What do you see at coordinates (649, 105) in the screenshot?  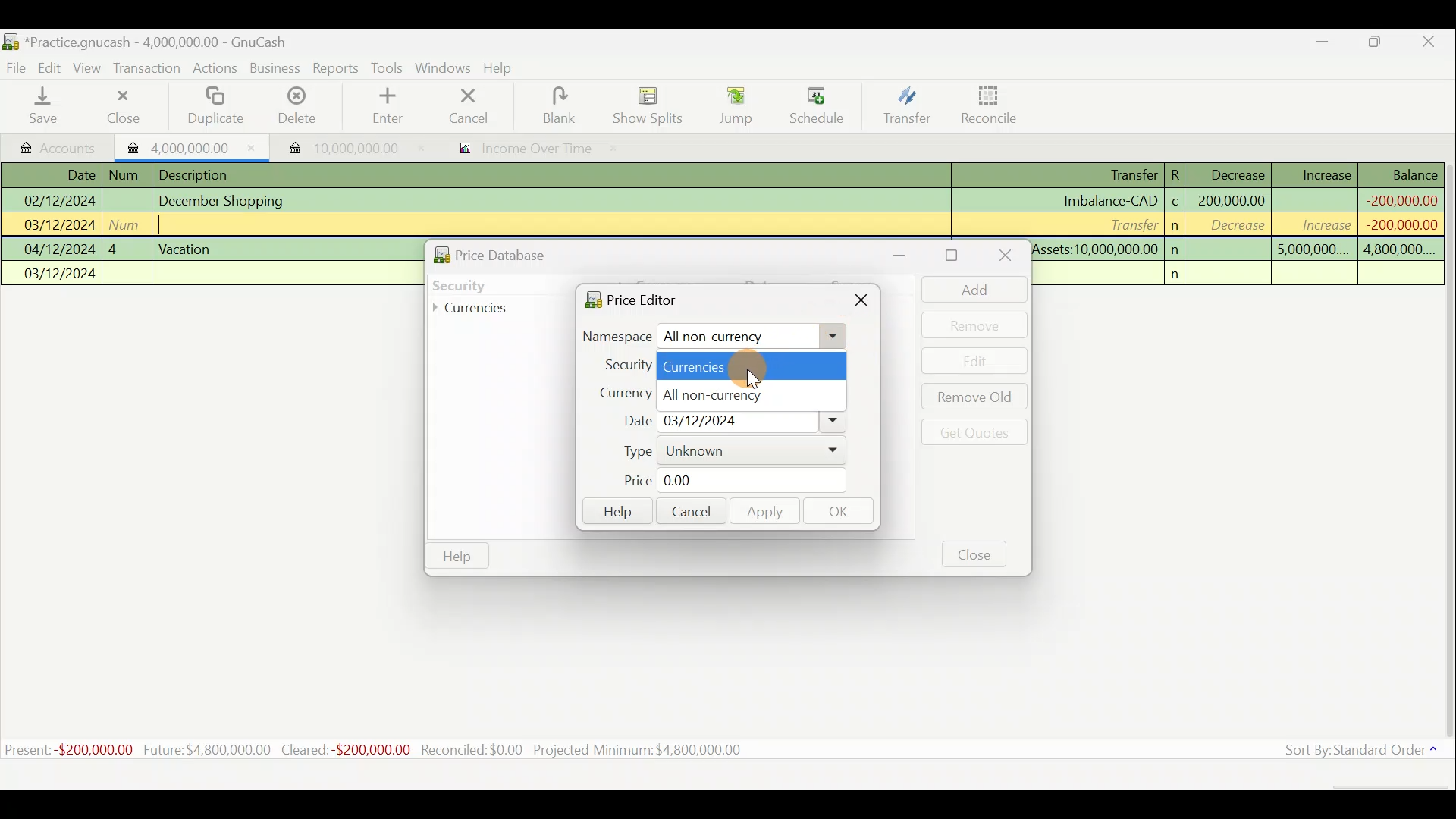 I see `Show splits` at bounding box center [649, 105].